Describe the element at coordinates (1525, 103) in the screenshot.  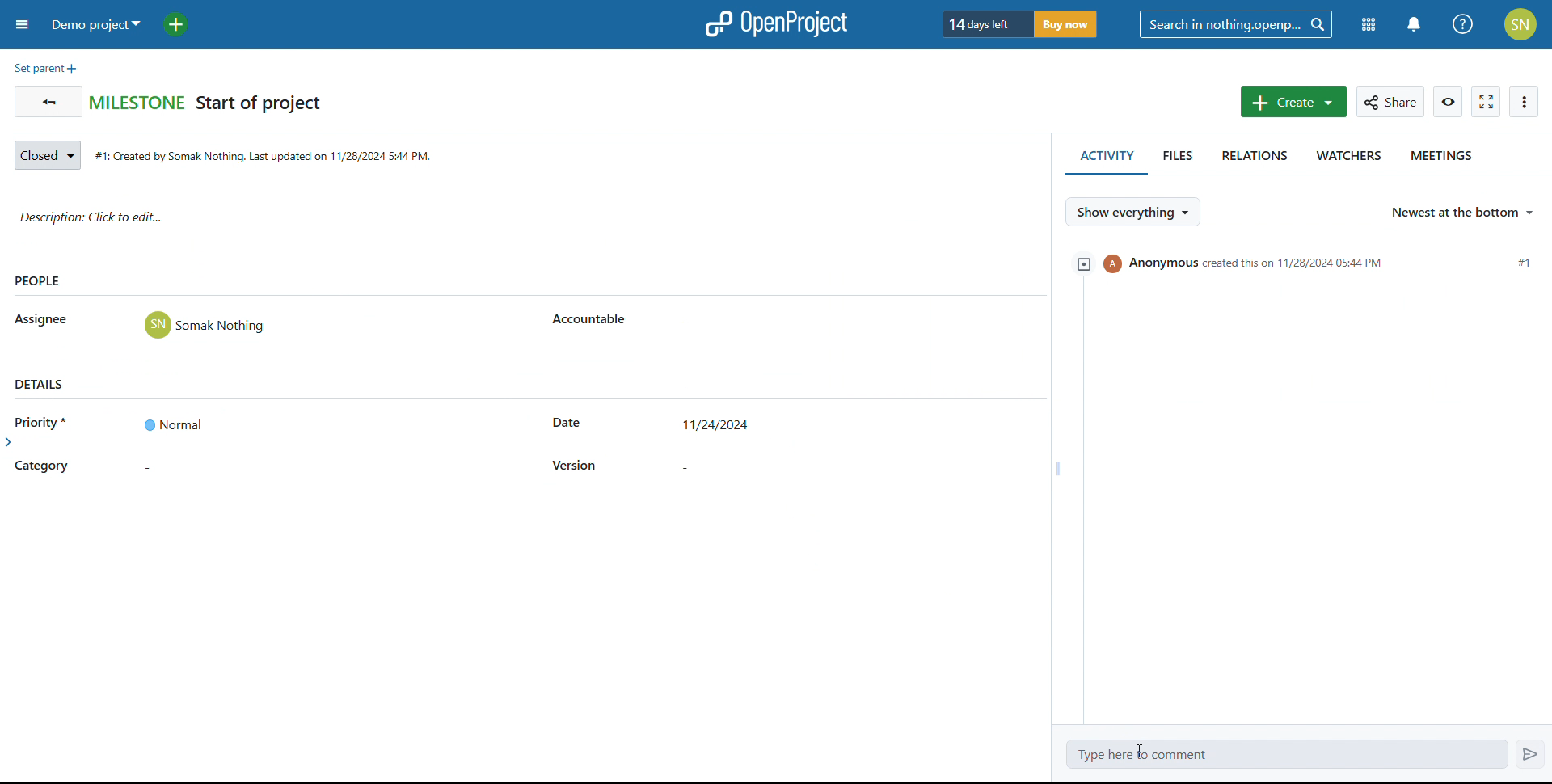
I see `more` at that location.